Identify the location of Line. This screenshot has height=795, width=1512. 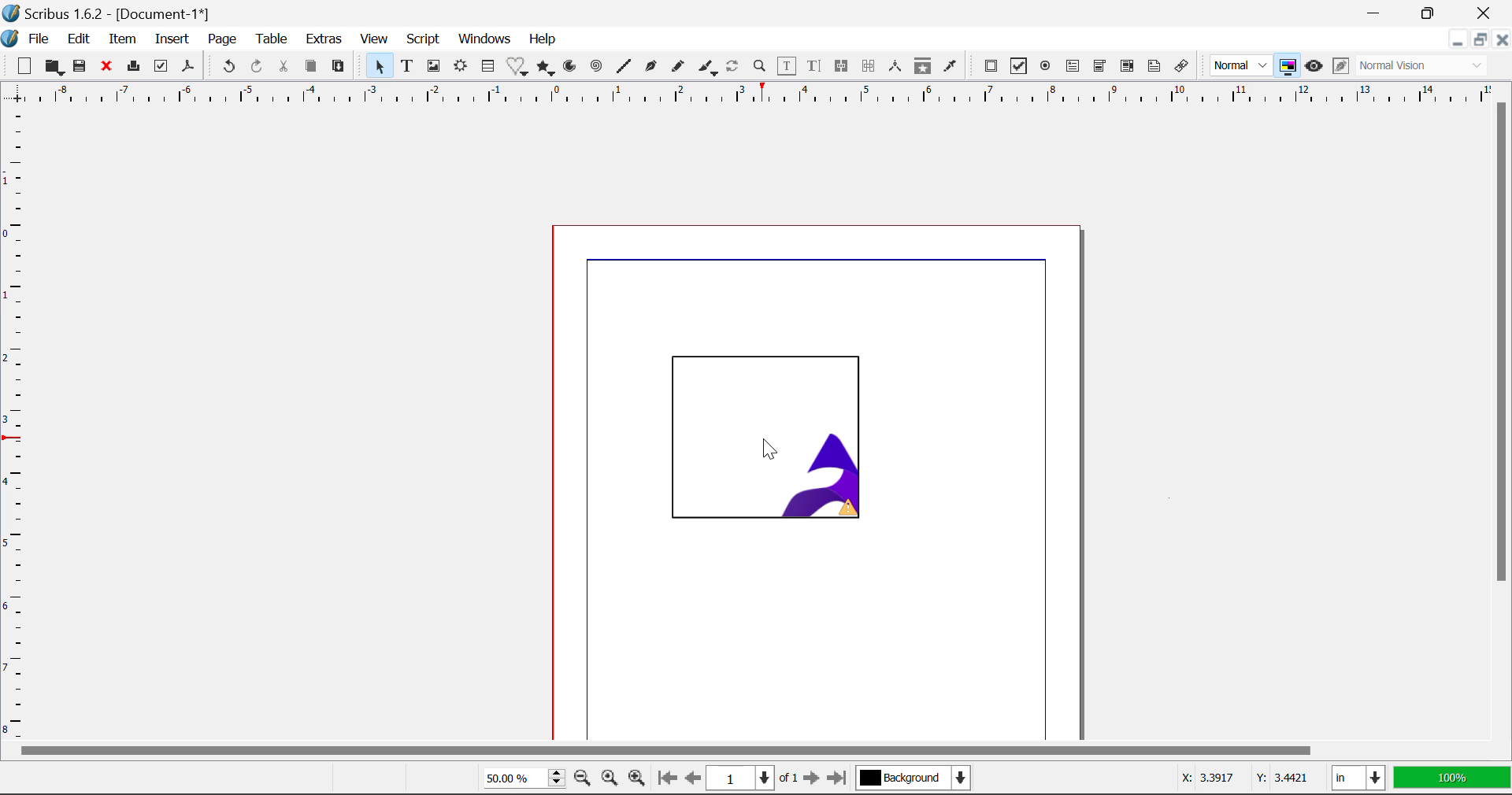
(623, 68).